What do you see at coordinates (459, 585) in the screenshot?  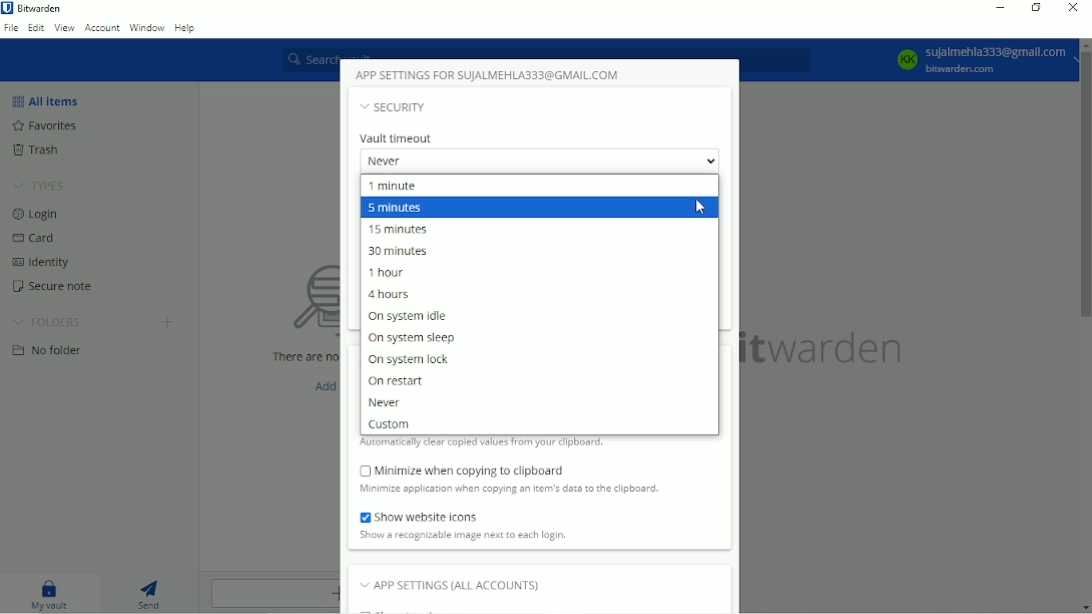 I see `App settings (ALL ACCOUNTS)` at bounding box center [459, 585].